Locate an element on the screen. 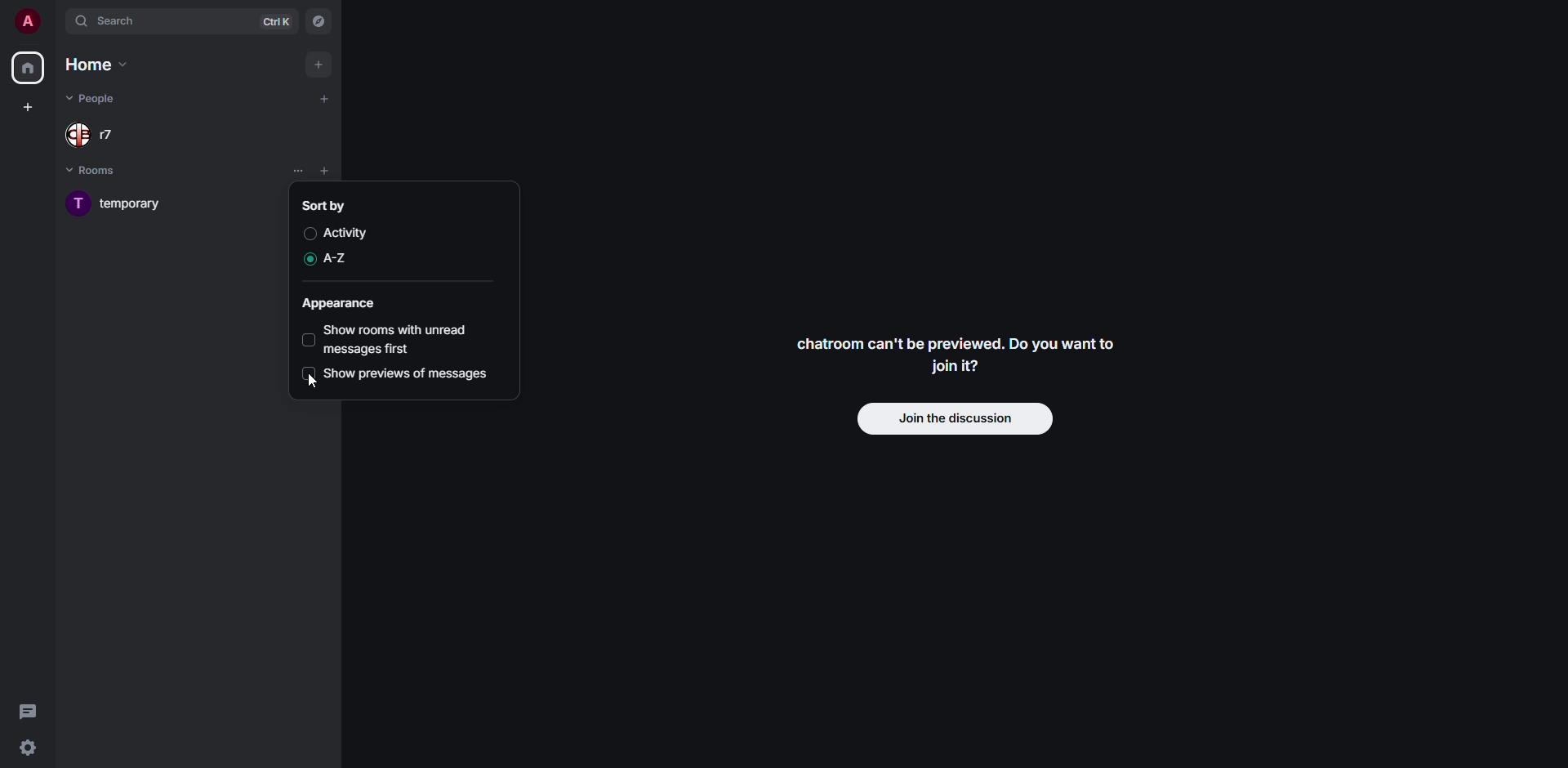  add is located at coordinates (325, 98).